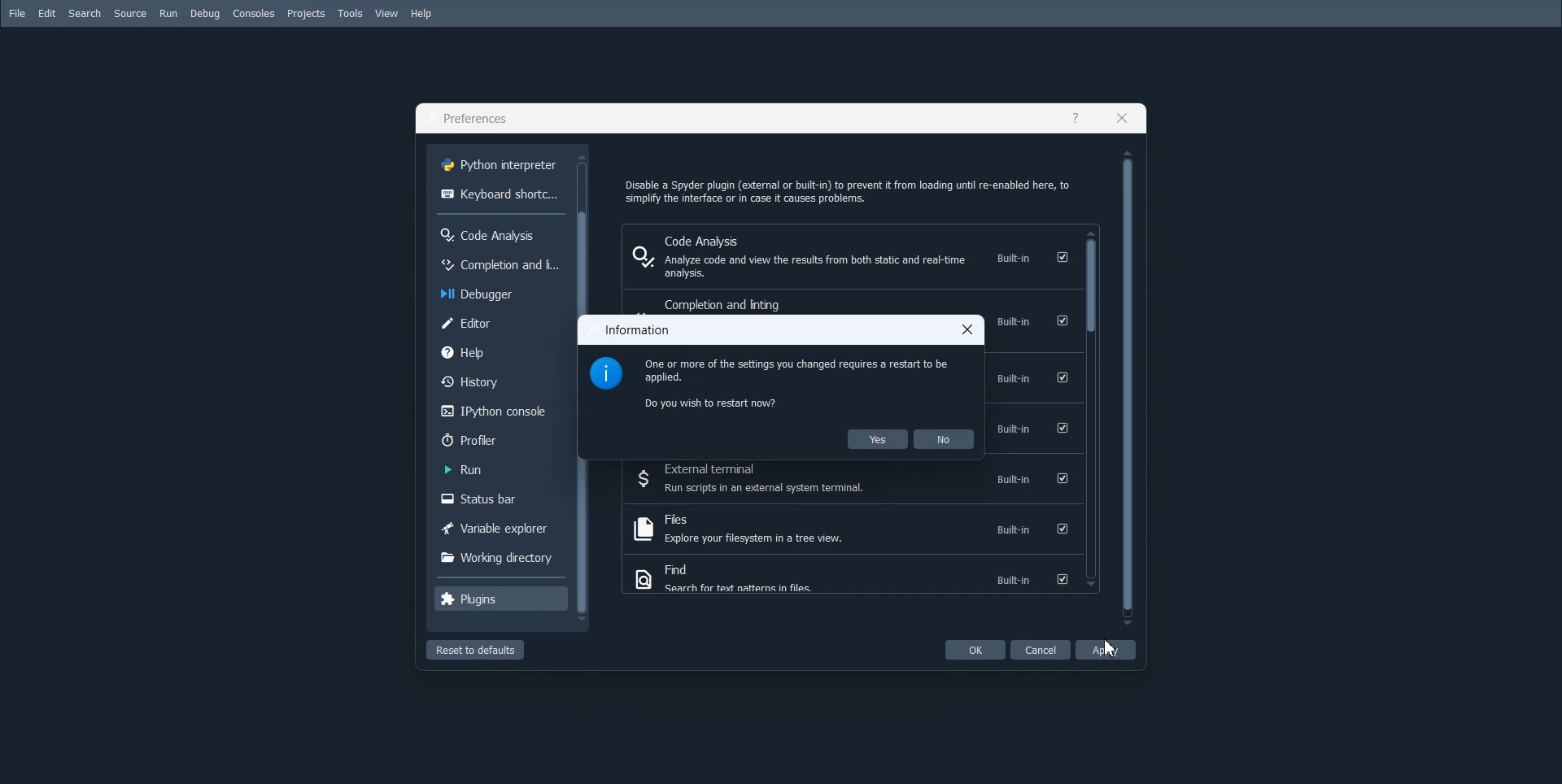  Describe the element at coordinates (877, 438) in the screenshot. I see `Yes` at that location.